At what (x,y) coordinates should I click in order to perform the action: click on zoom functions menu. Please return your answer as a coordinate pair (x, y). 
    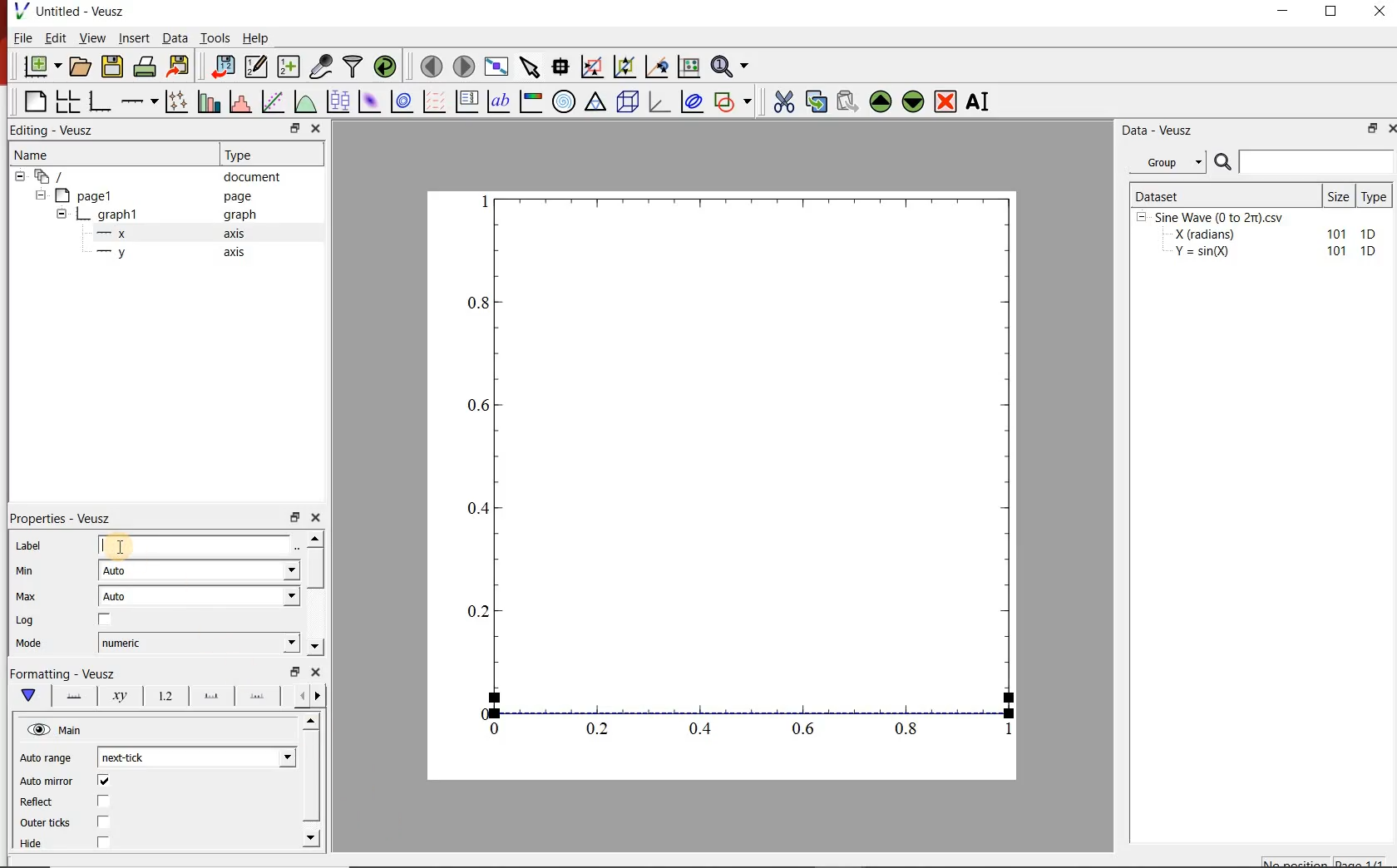
    Looking at the image, I should click on (732, 64).